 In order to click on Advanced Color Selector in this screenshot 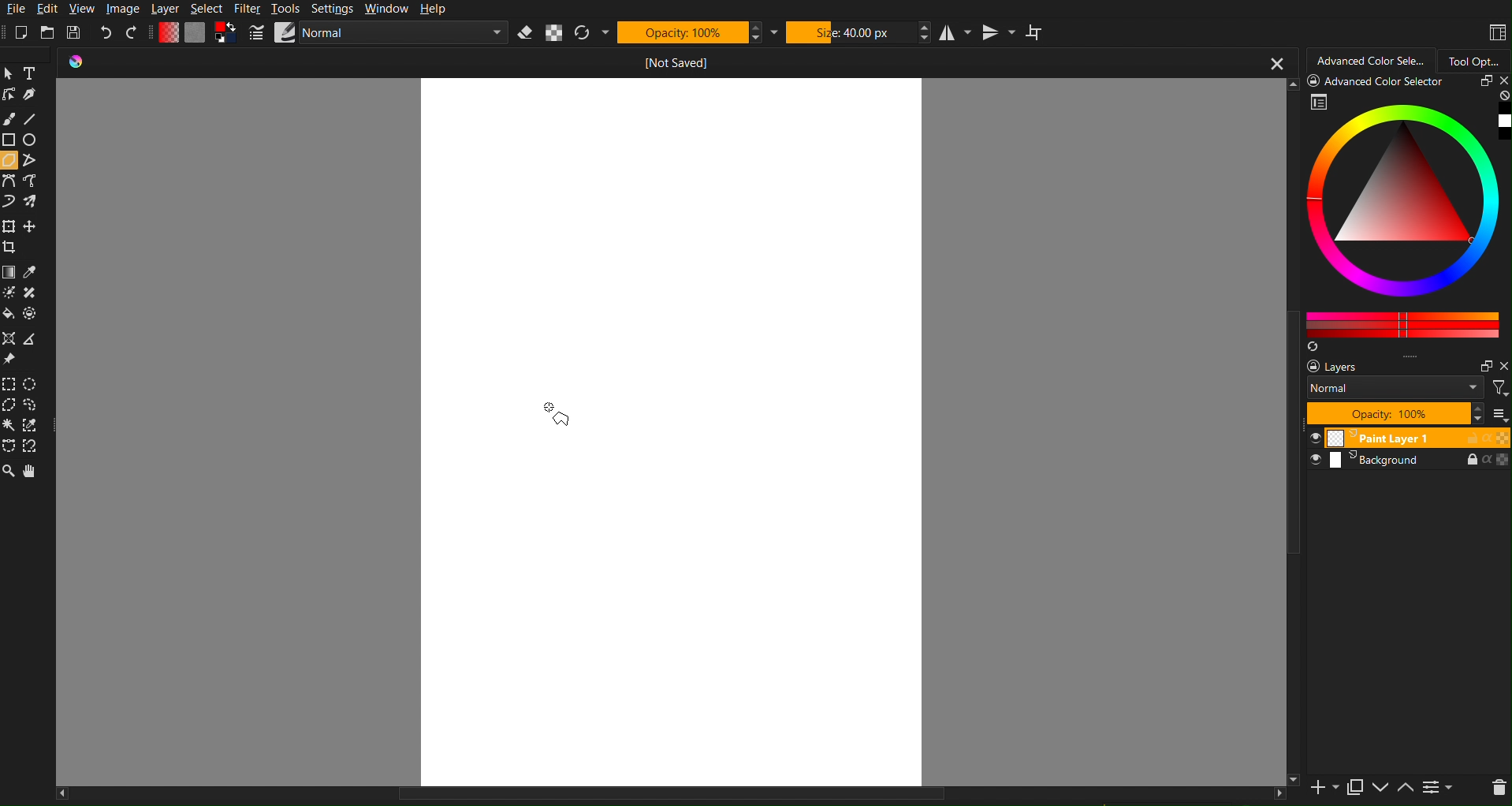, I will do `click(1380, 82)`.